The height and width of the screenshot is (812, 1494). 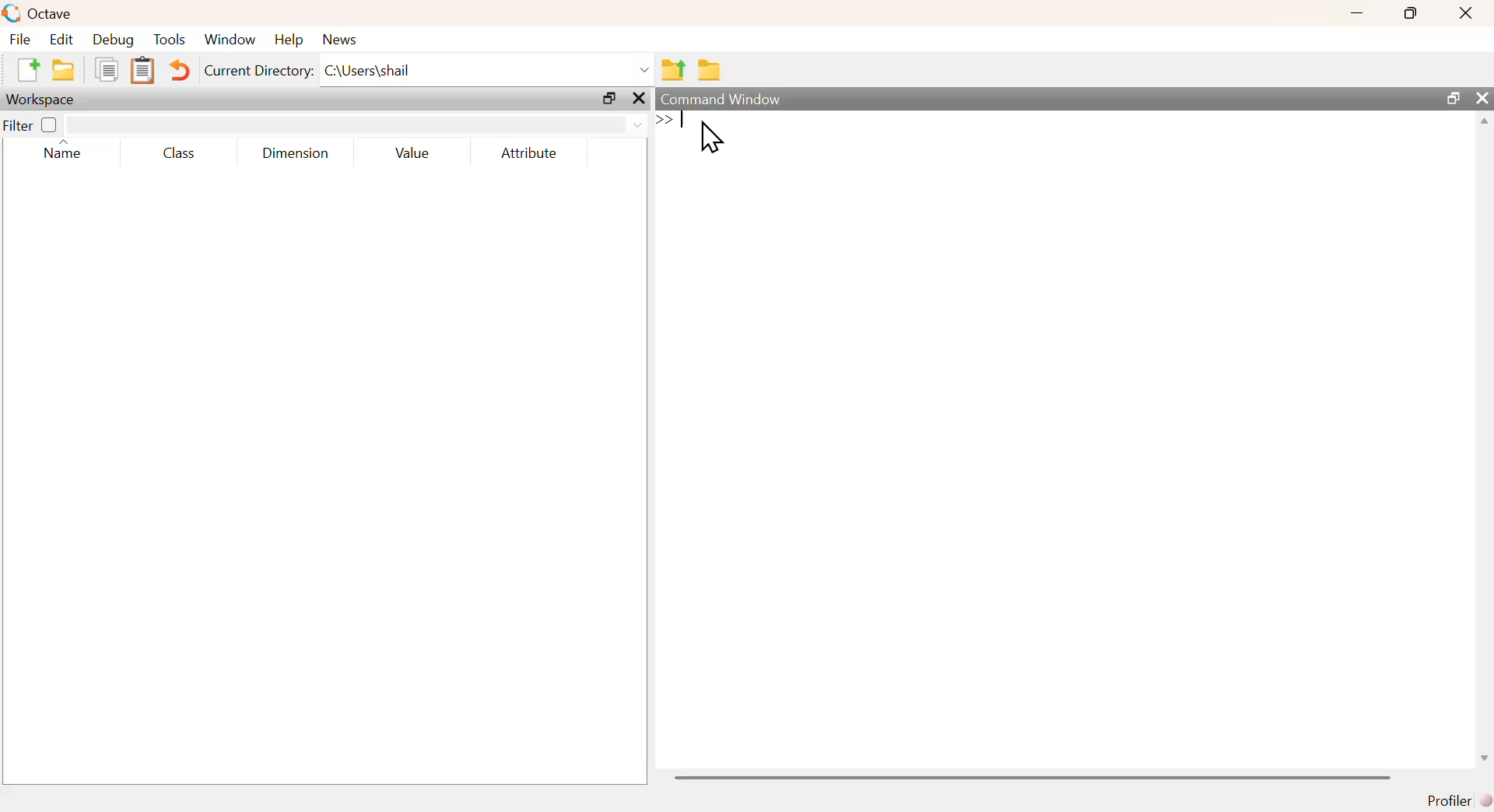 What do you see at coordinates (26, 68) in the screenshot?
I see `new script` at bounding box center [26, 68].